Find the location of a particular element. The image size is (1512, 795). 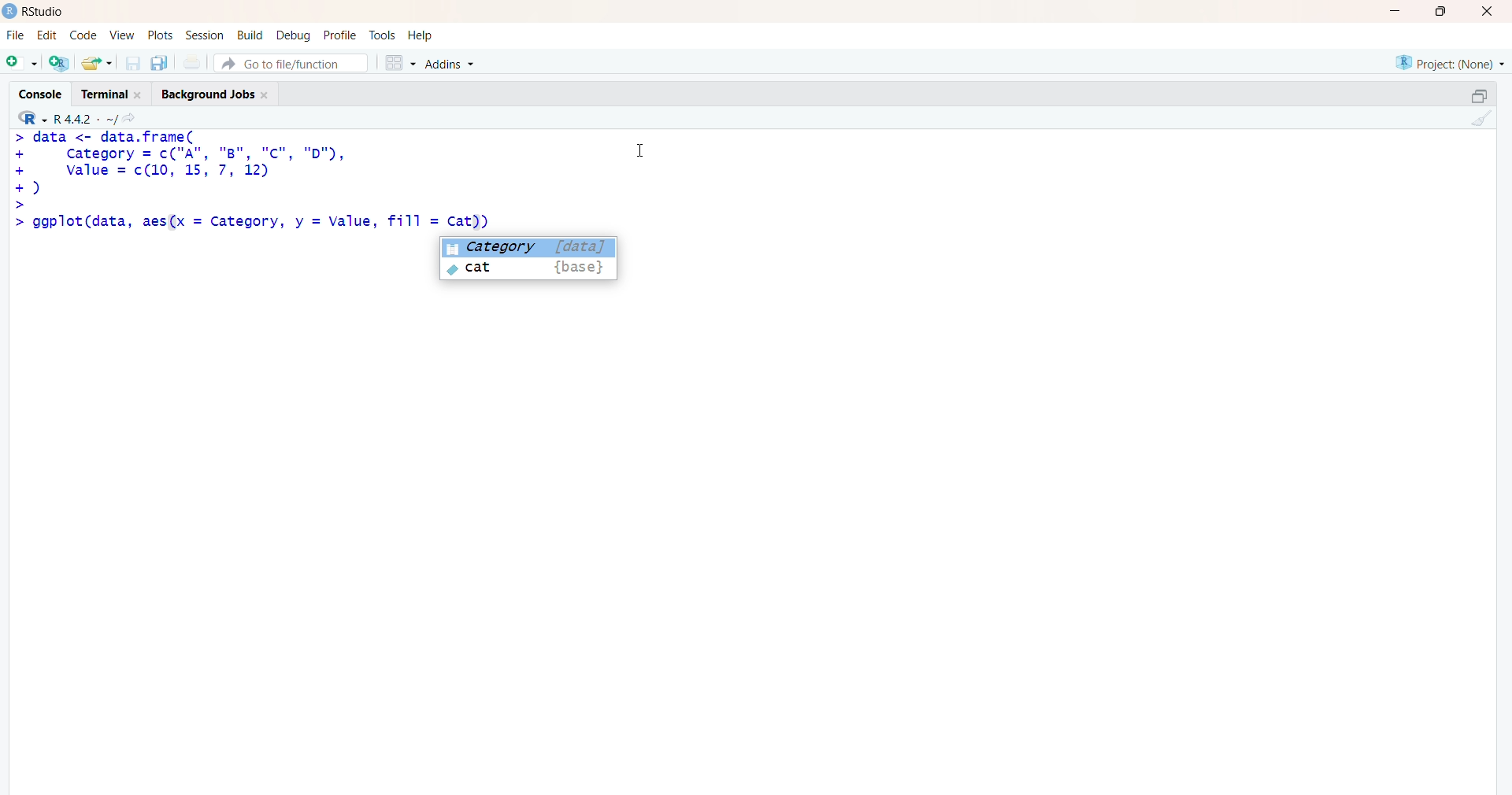

create a project is located at coordinates (58, 62).